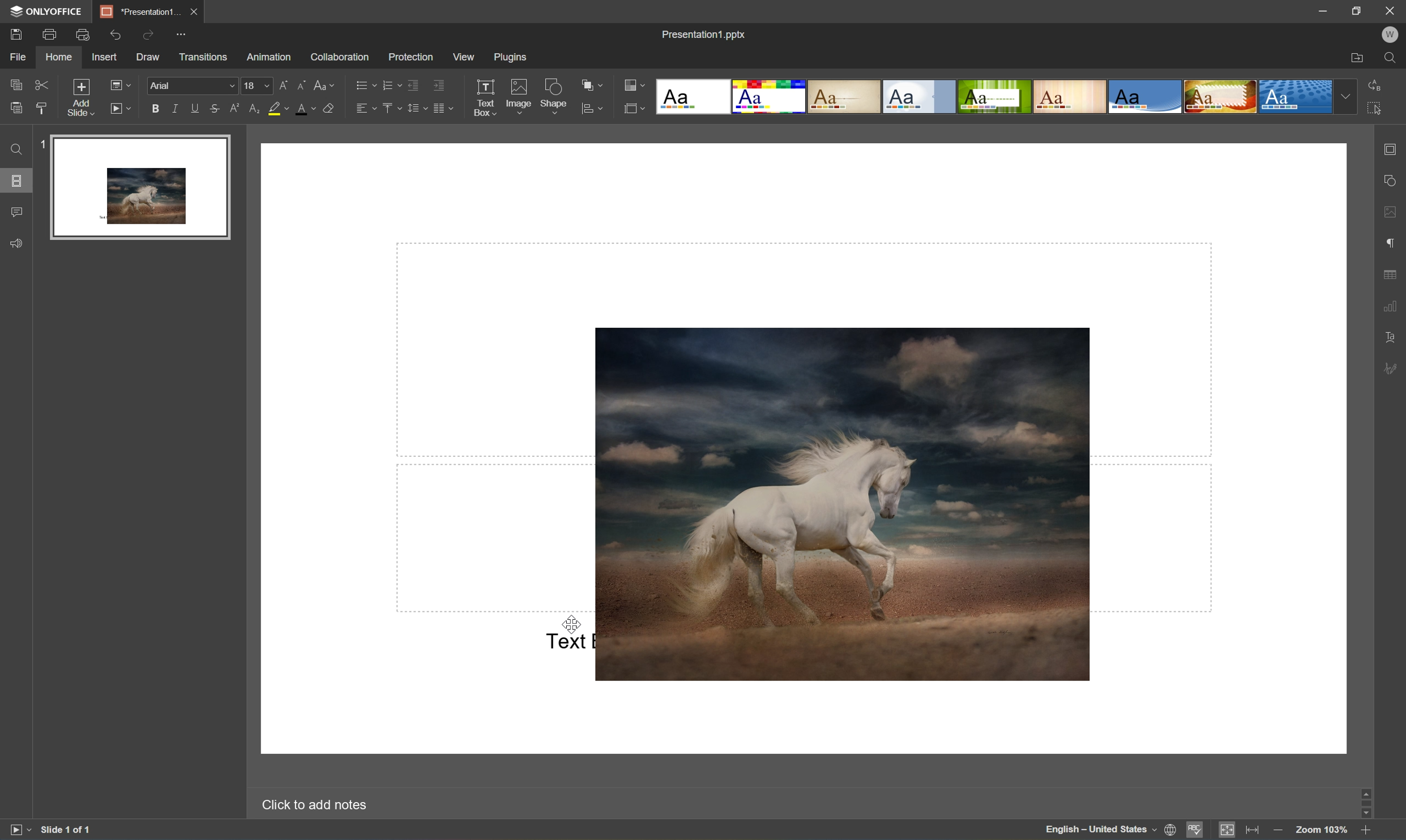 This screenshot has width=1406, height=840. What do you see at coordinates (841, 502) in the screenshot?
I see `Image` at bounding box center [841, 502].